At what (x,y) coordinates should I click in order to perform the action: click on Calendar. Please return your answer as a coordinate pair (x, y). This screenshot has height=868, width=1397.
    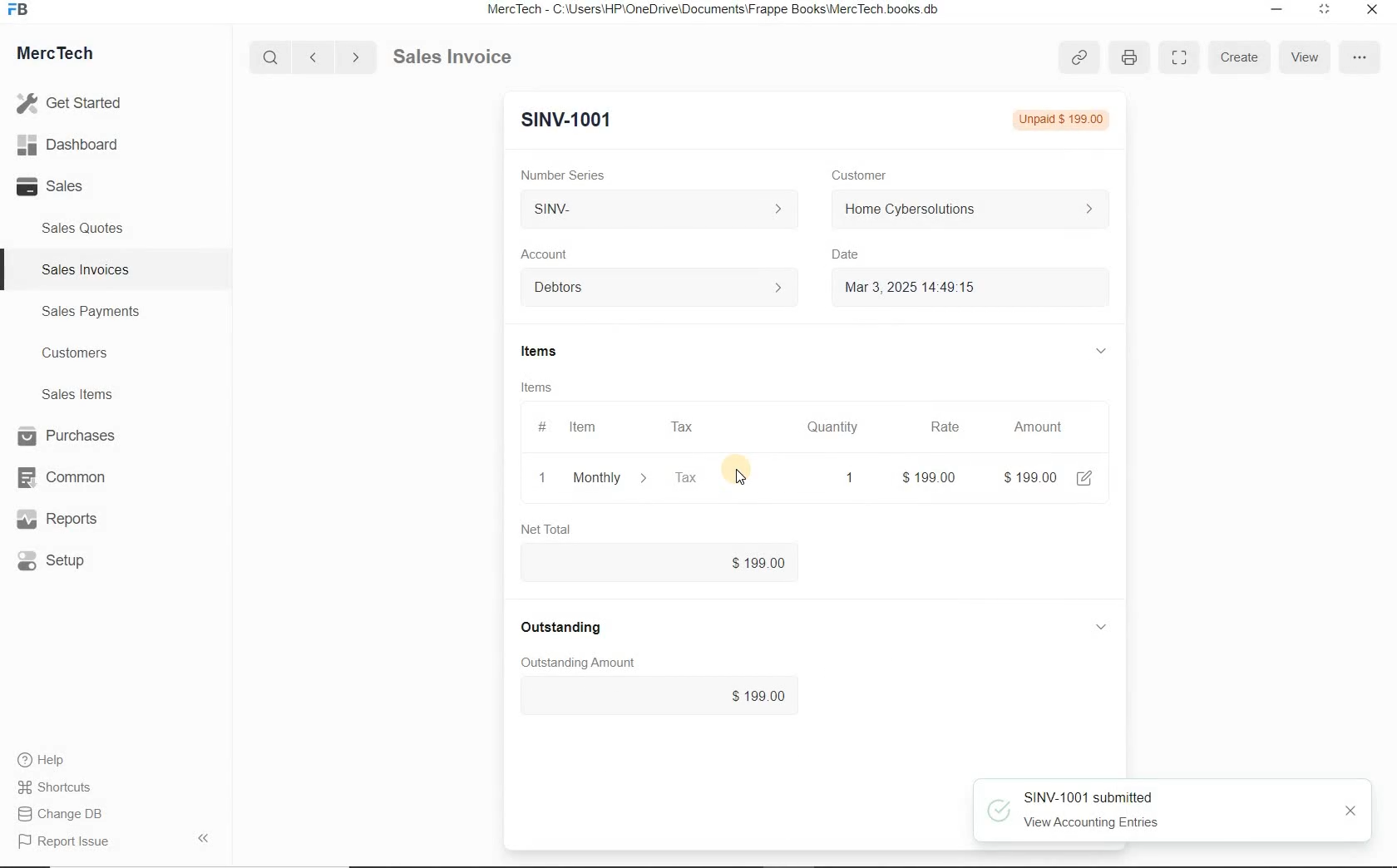
    Looking at the image, I should click on (1078, 289).